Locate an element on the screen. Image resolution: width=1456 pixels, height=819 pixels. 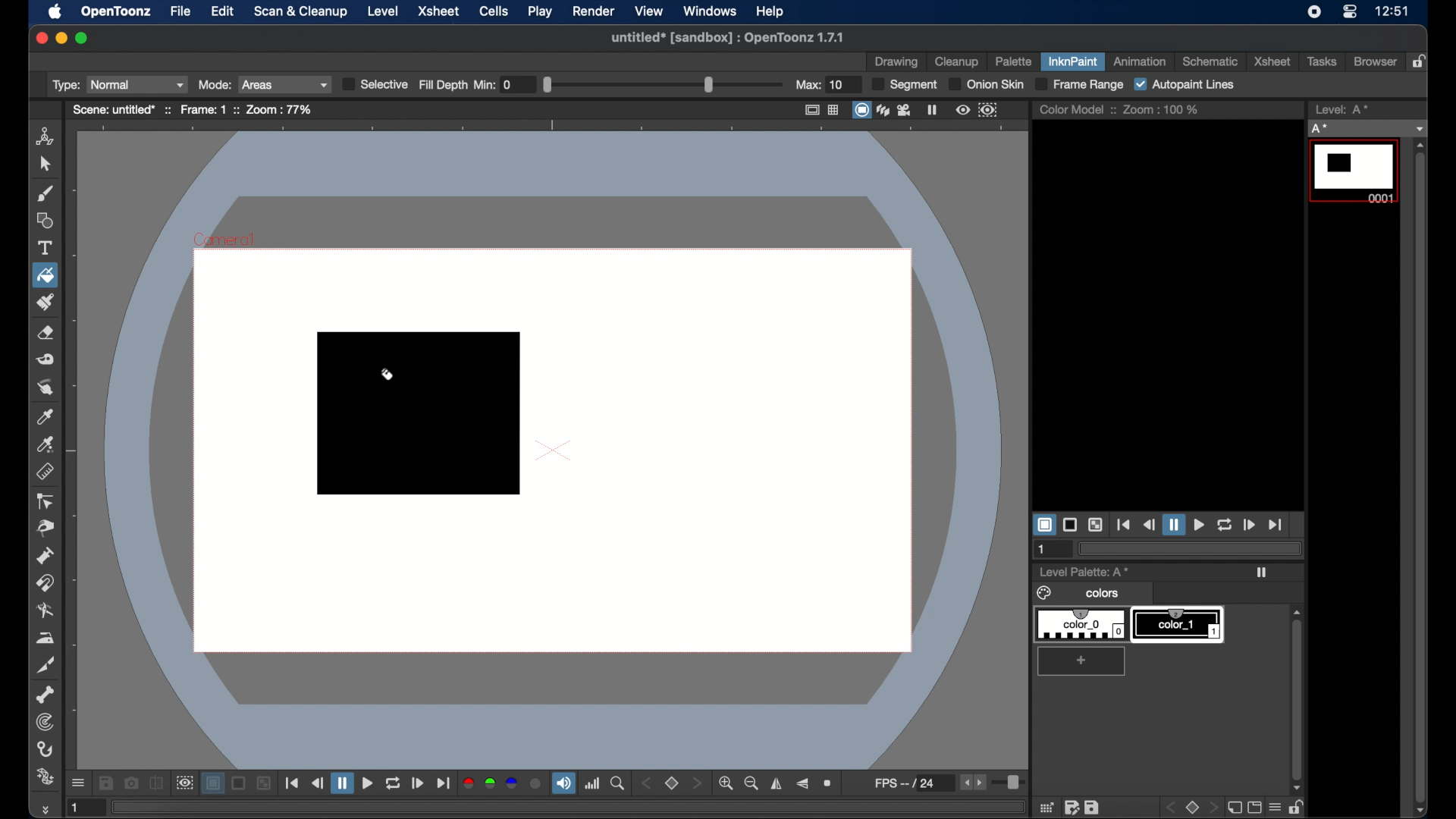
animation is located at coordinates (1141, 61).